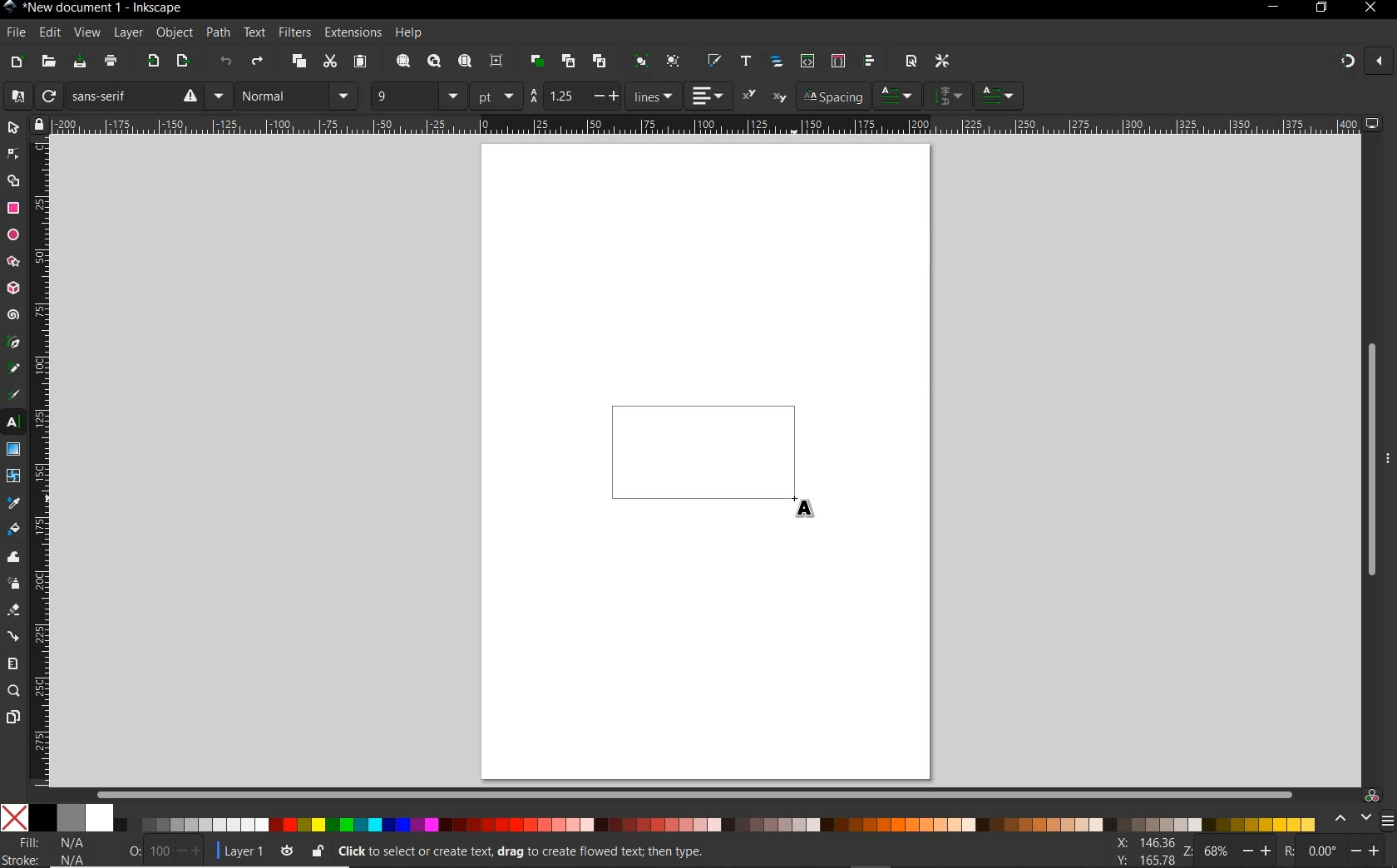  What do you see at coordinates (215, 31) in the screenshot?
I see `path` at bounding box center [215, 31].